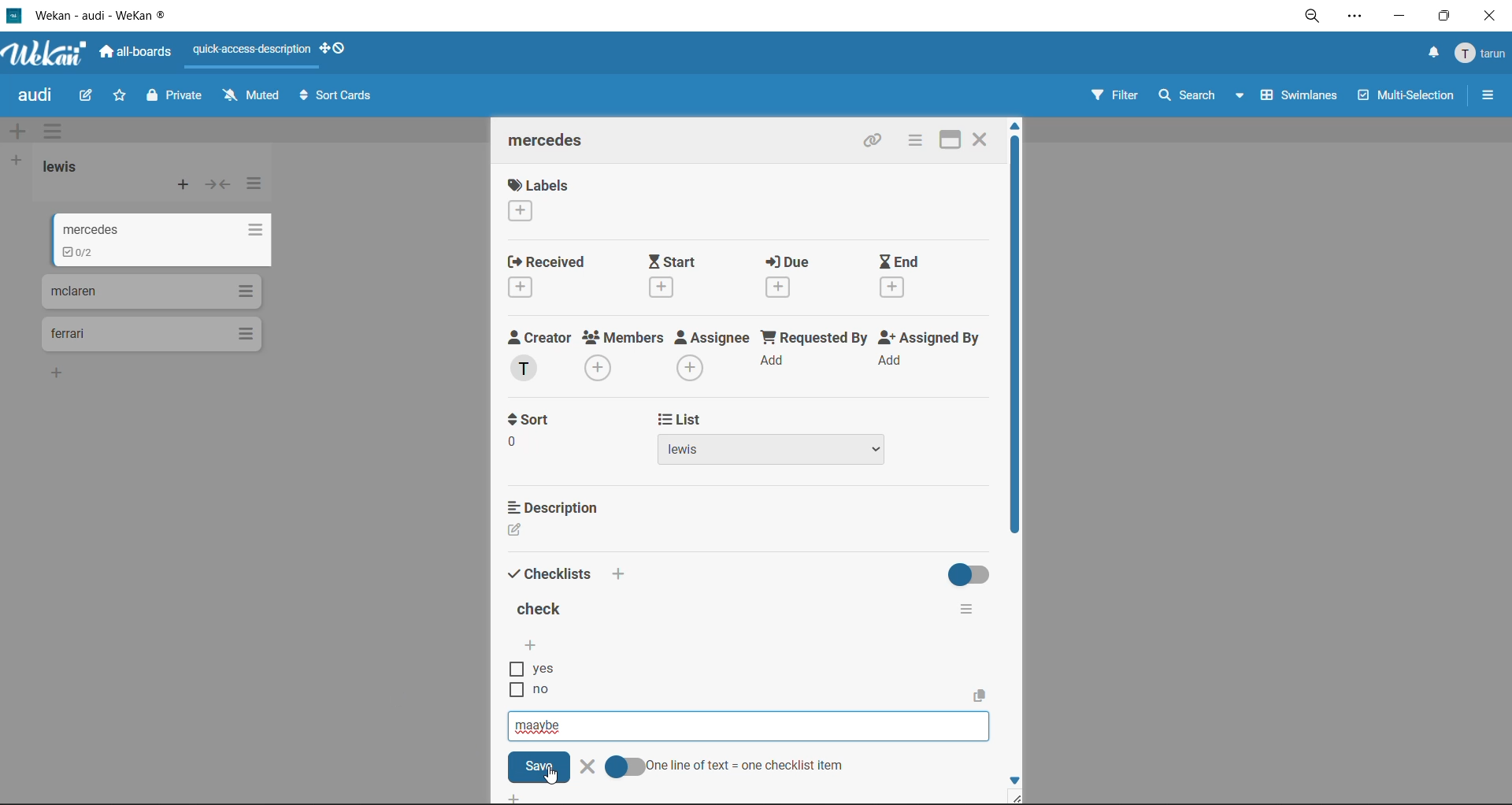 The width and height of the screenshot is (1512, 805). What do you see at coordinates (775, 361) in the screenshot?
I see `Add` at bounding box center [775, 361].